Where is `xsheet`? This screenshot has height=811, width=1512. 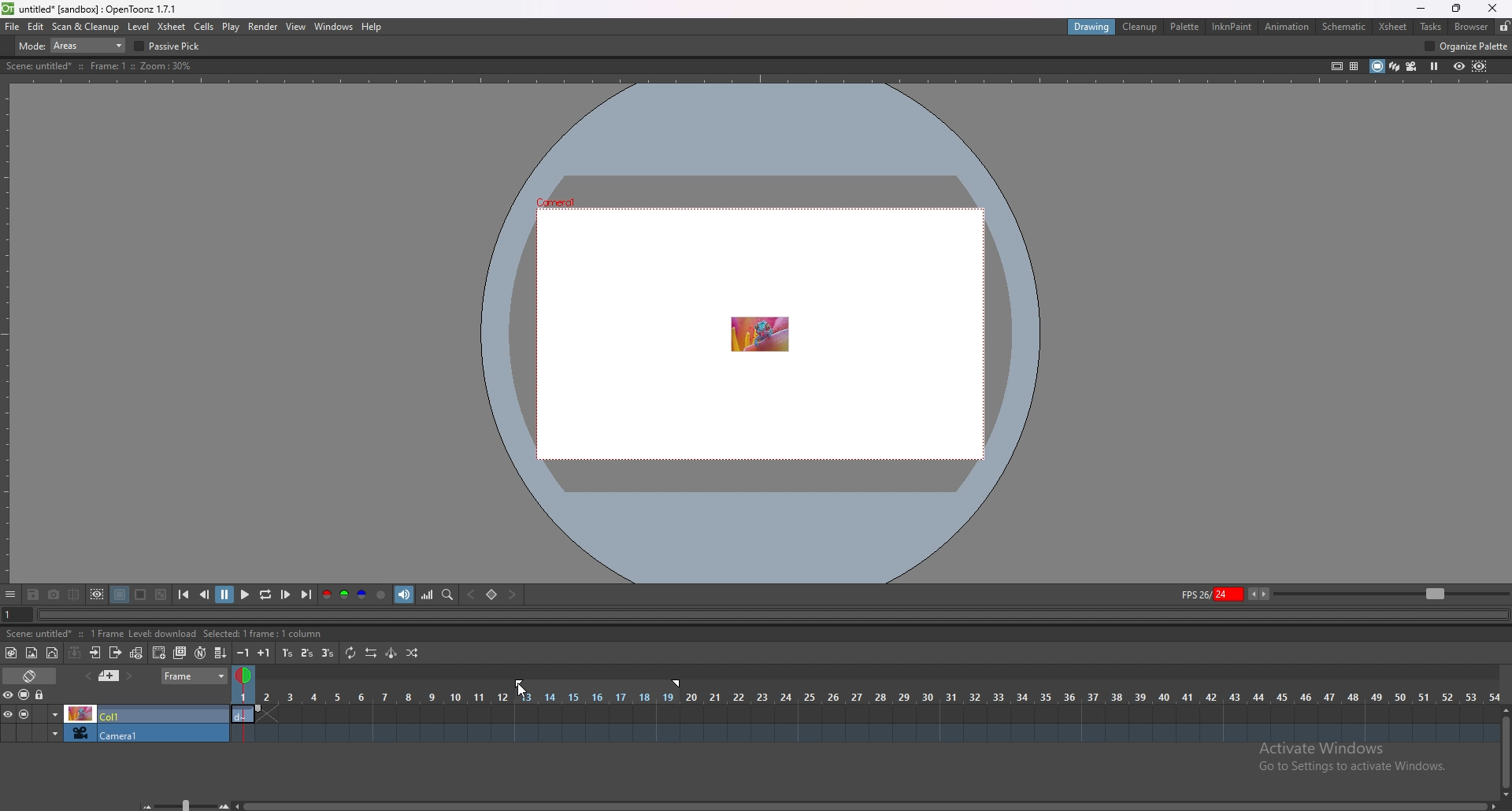
xsheet is located at coordinates (173, 28).